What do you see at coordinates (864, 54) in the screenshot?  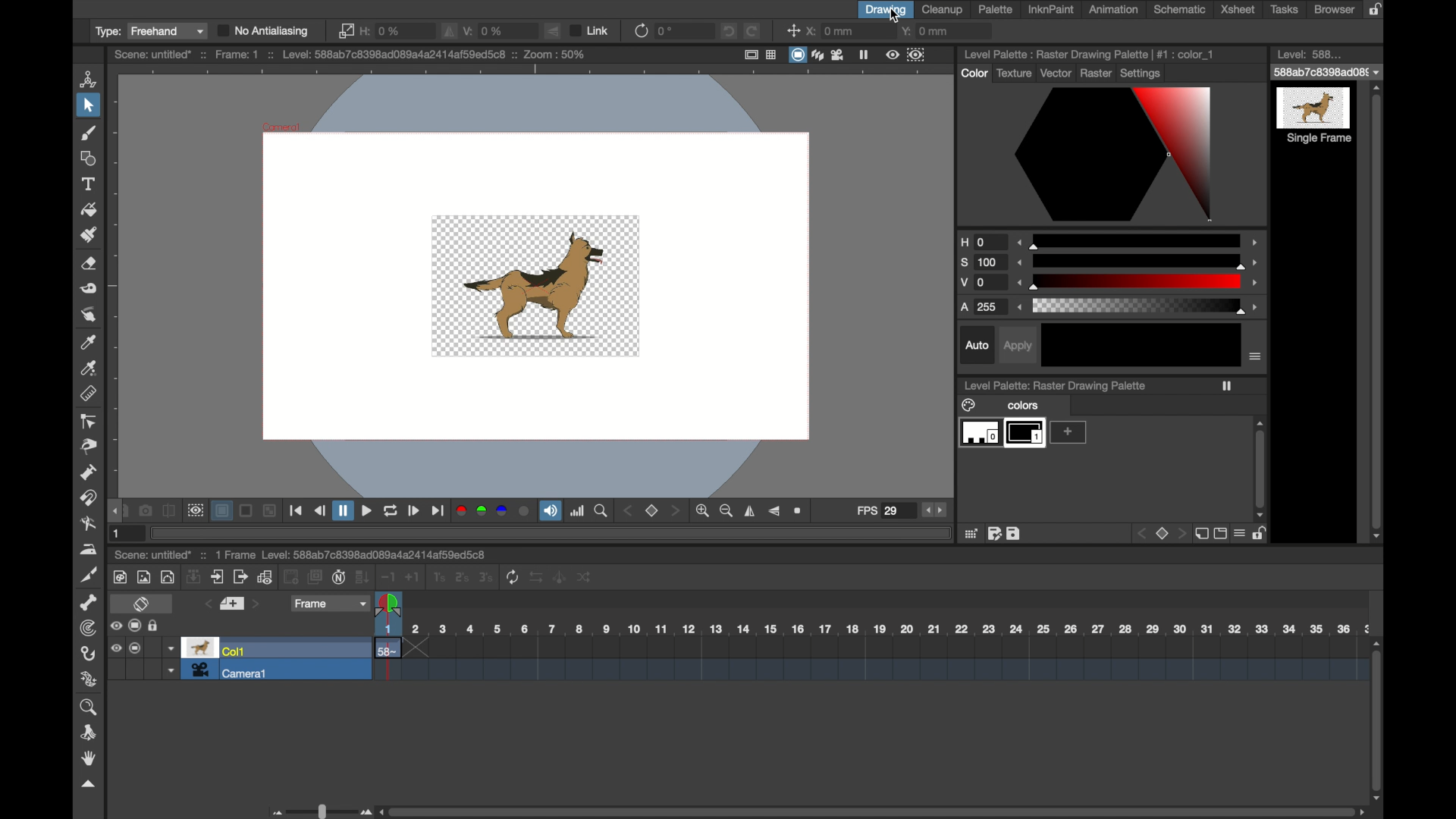 I see `freeze` at bounding box center [864, 54].